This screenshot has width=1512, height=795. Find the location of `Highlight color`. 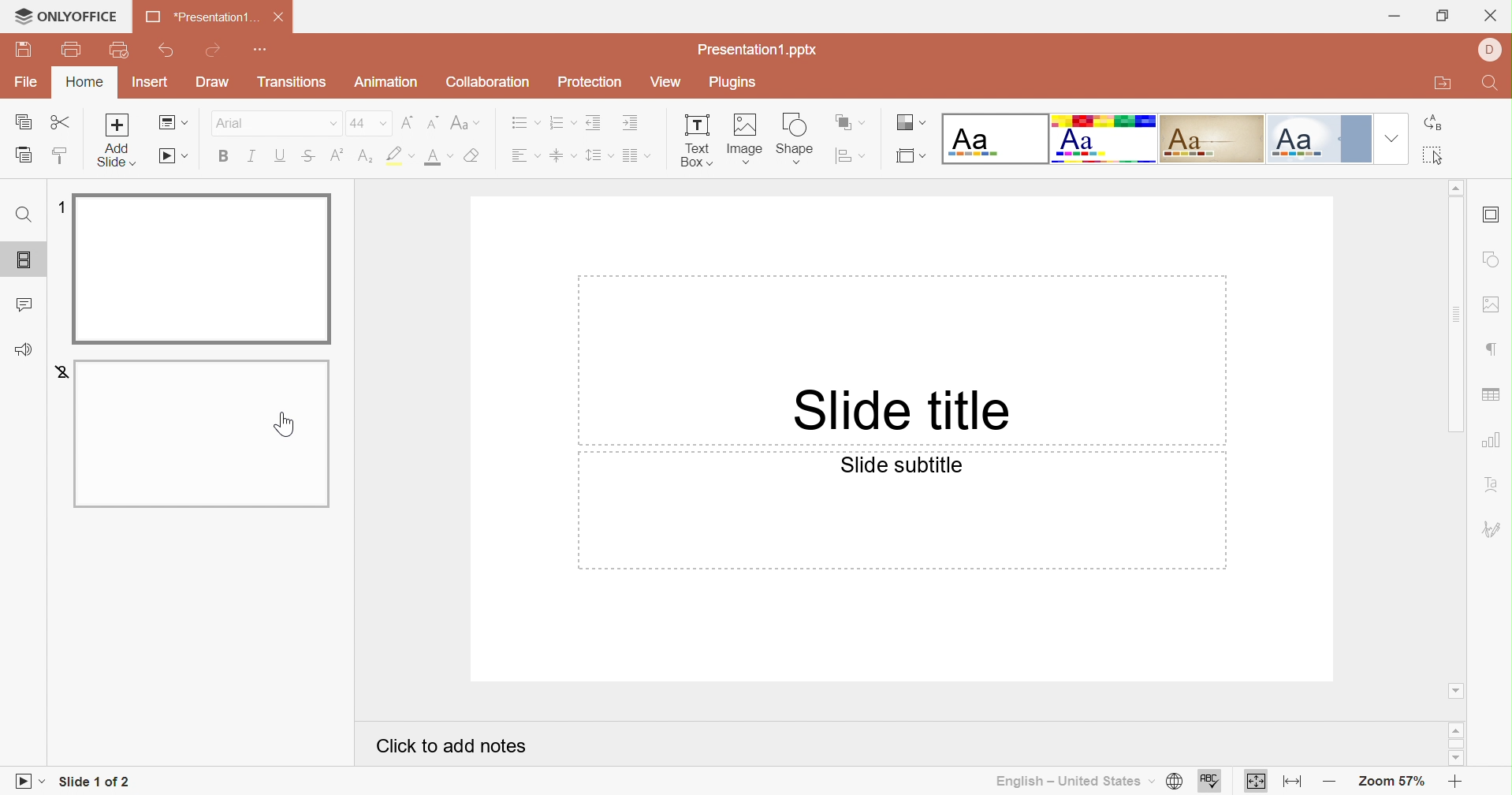

Highlight color is located at coordinates (367, 157).